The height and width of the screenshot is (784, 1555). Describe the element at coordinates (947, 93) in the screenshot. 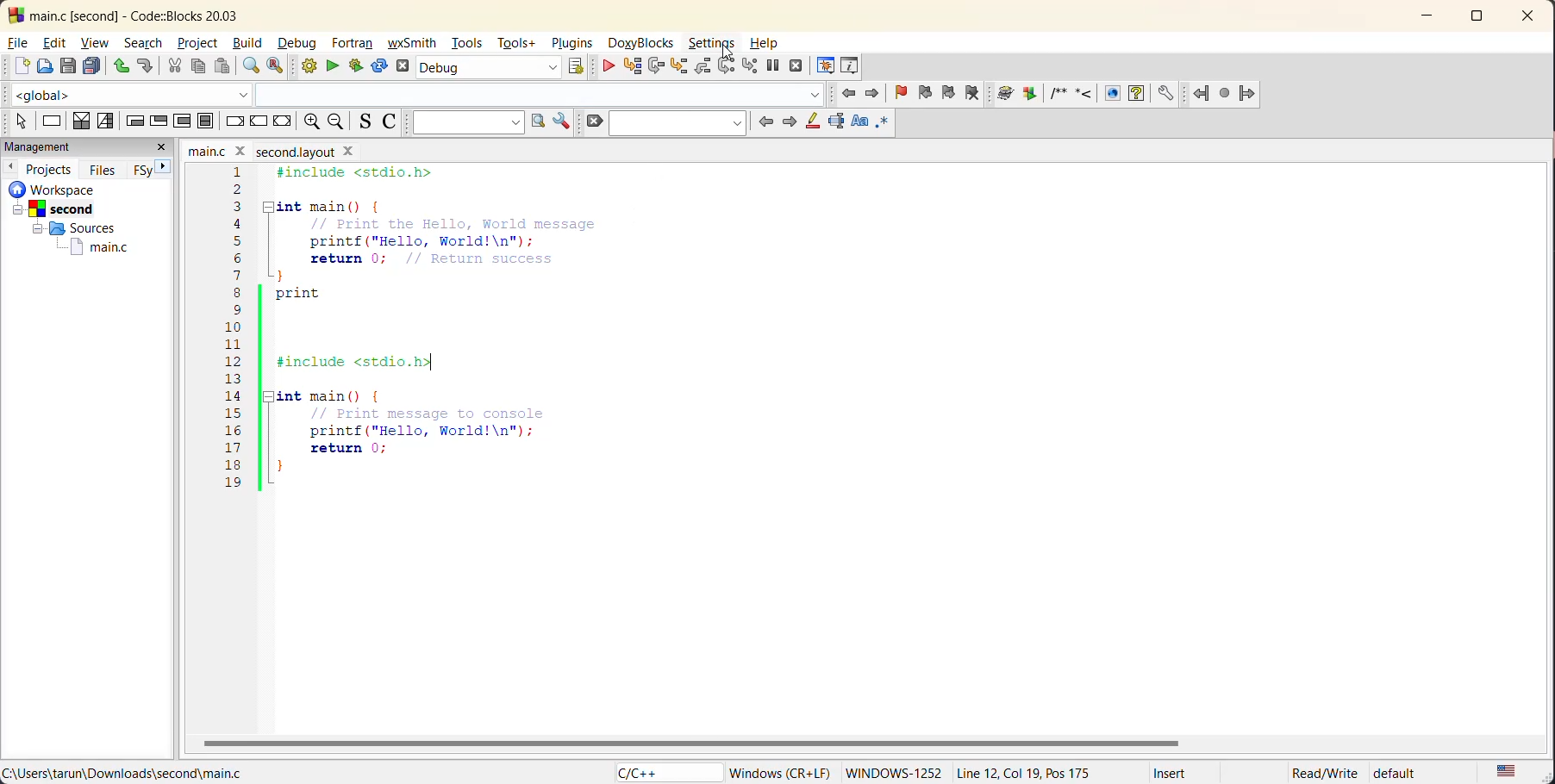

I see `next bookmark` at that location.